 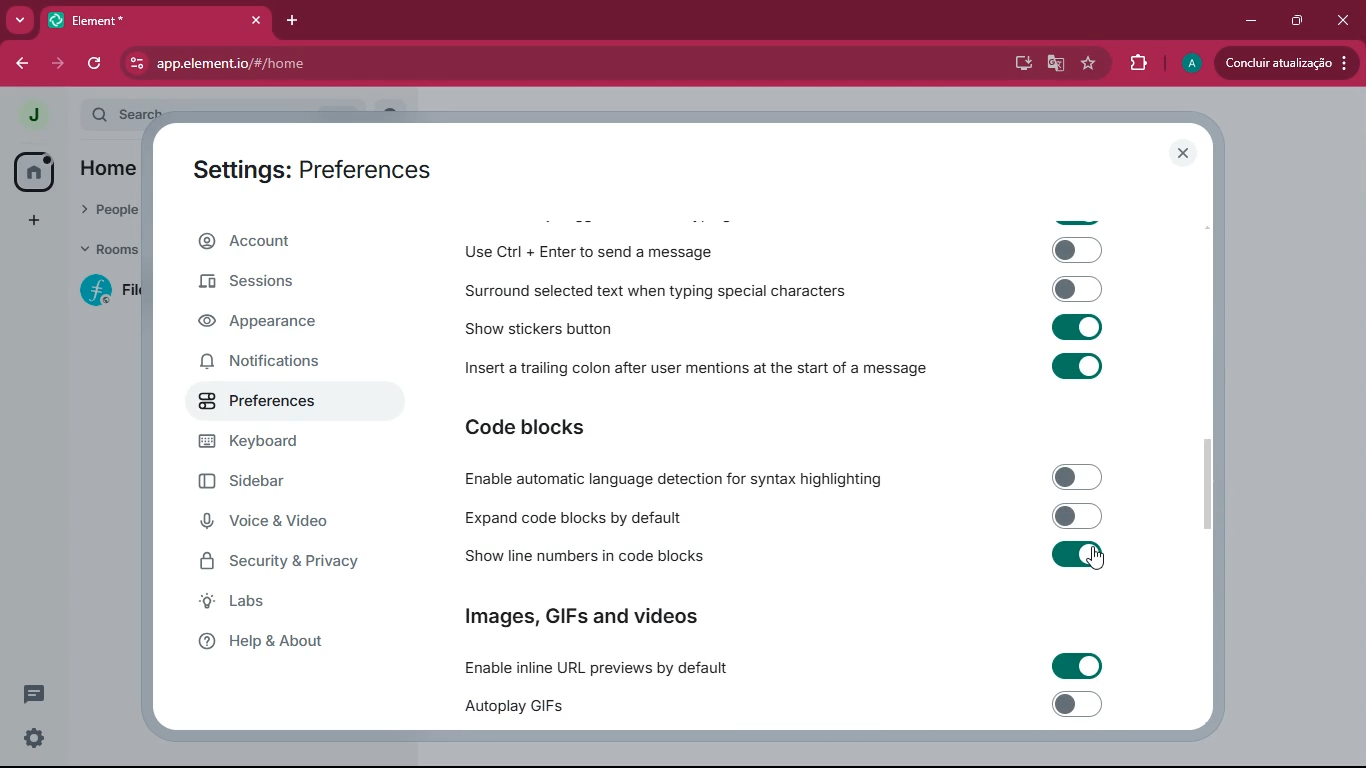 What do you see at coordinates (791, 707) in the screenshot?
I see `Autoplay GIFs` at bounding box center [791, 707].